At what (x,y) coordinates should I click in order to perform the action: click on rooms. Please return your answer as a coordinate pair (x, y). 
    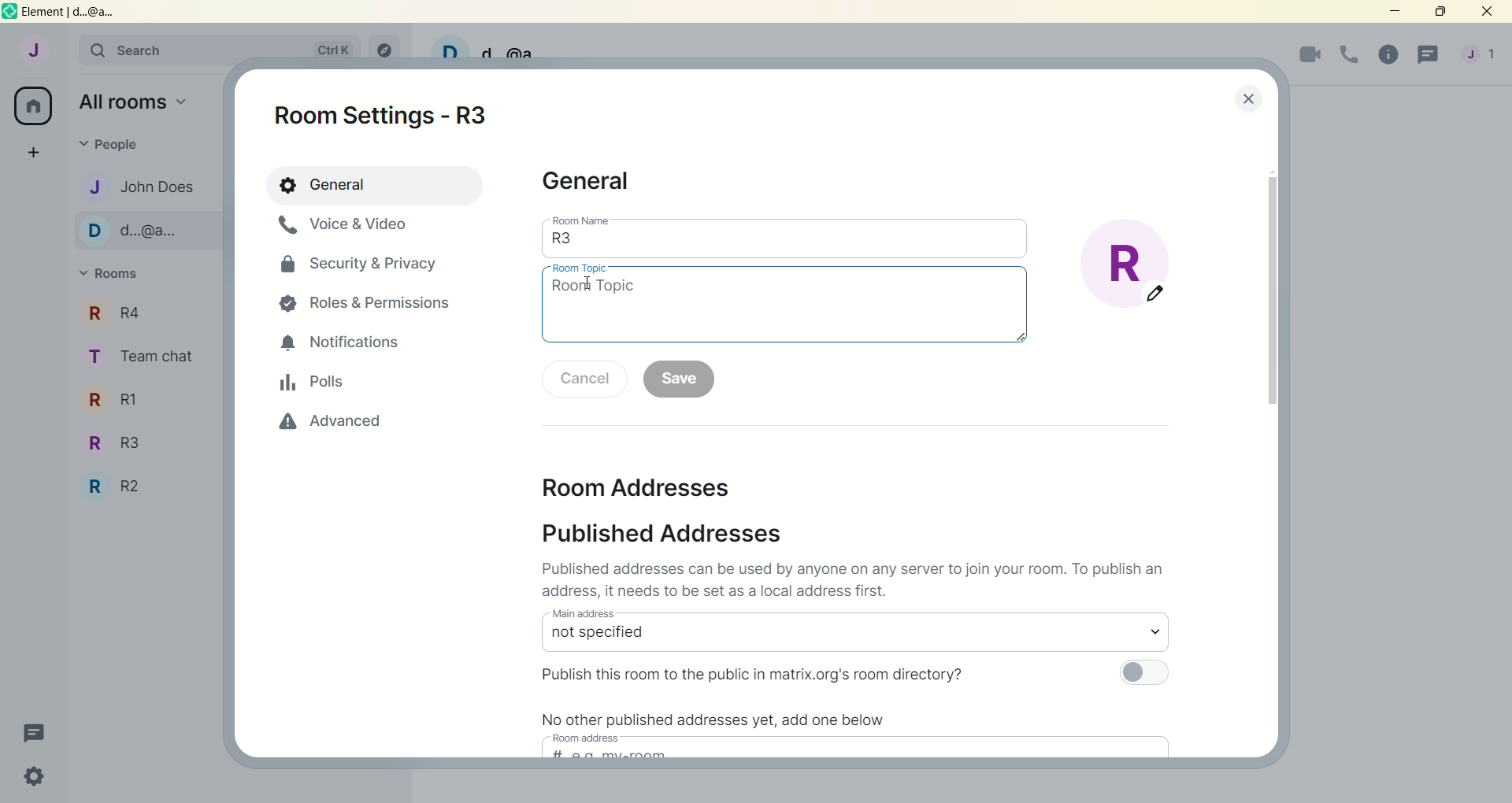
    Looking at the image, I should click on (109, 273).